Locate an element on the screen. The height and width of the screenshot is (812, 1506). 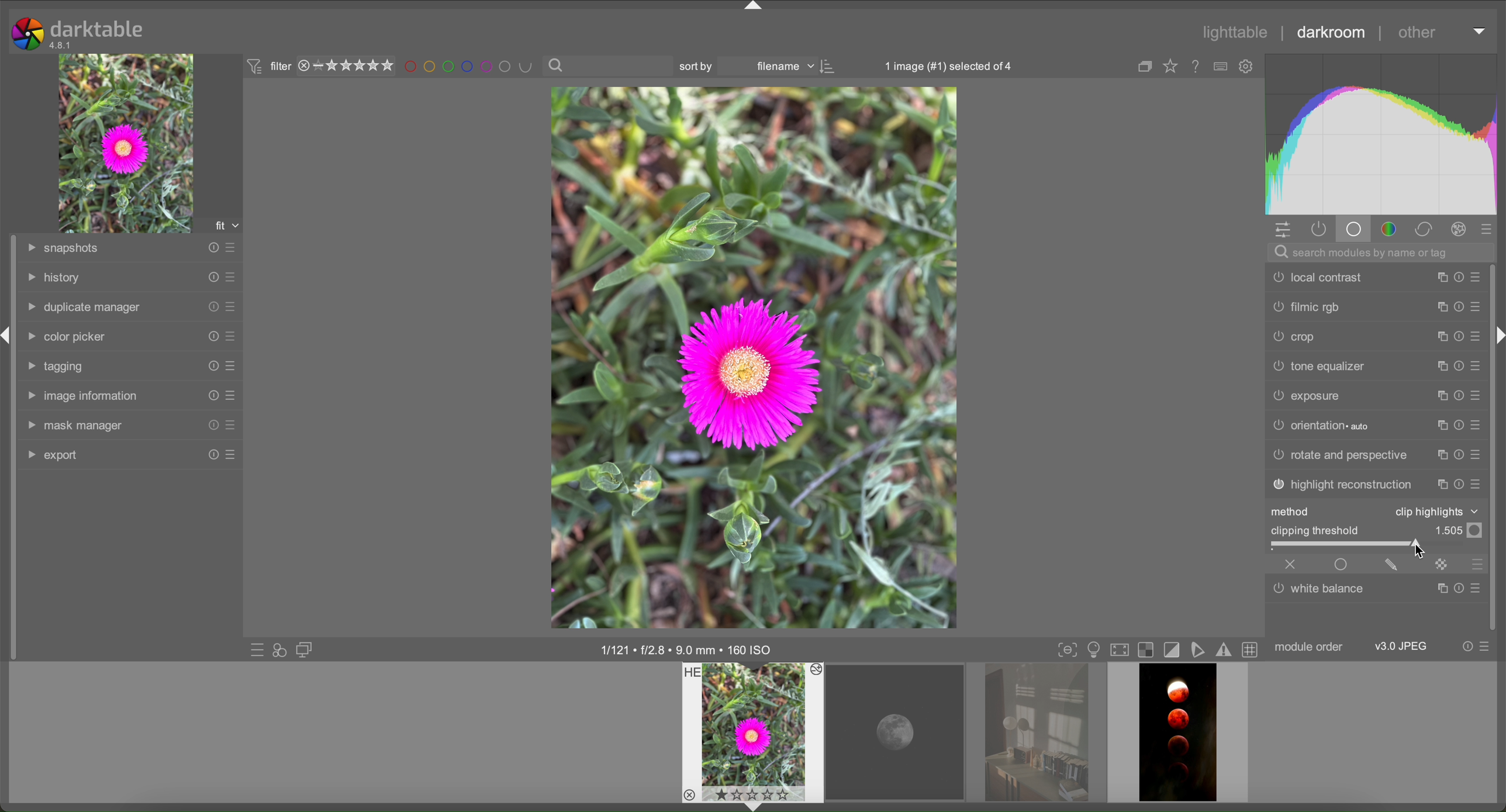
reset presets is located at coordinates (210, 366).